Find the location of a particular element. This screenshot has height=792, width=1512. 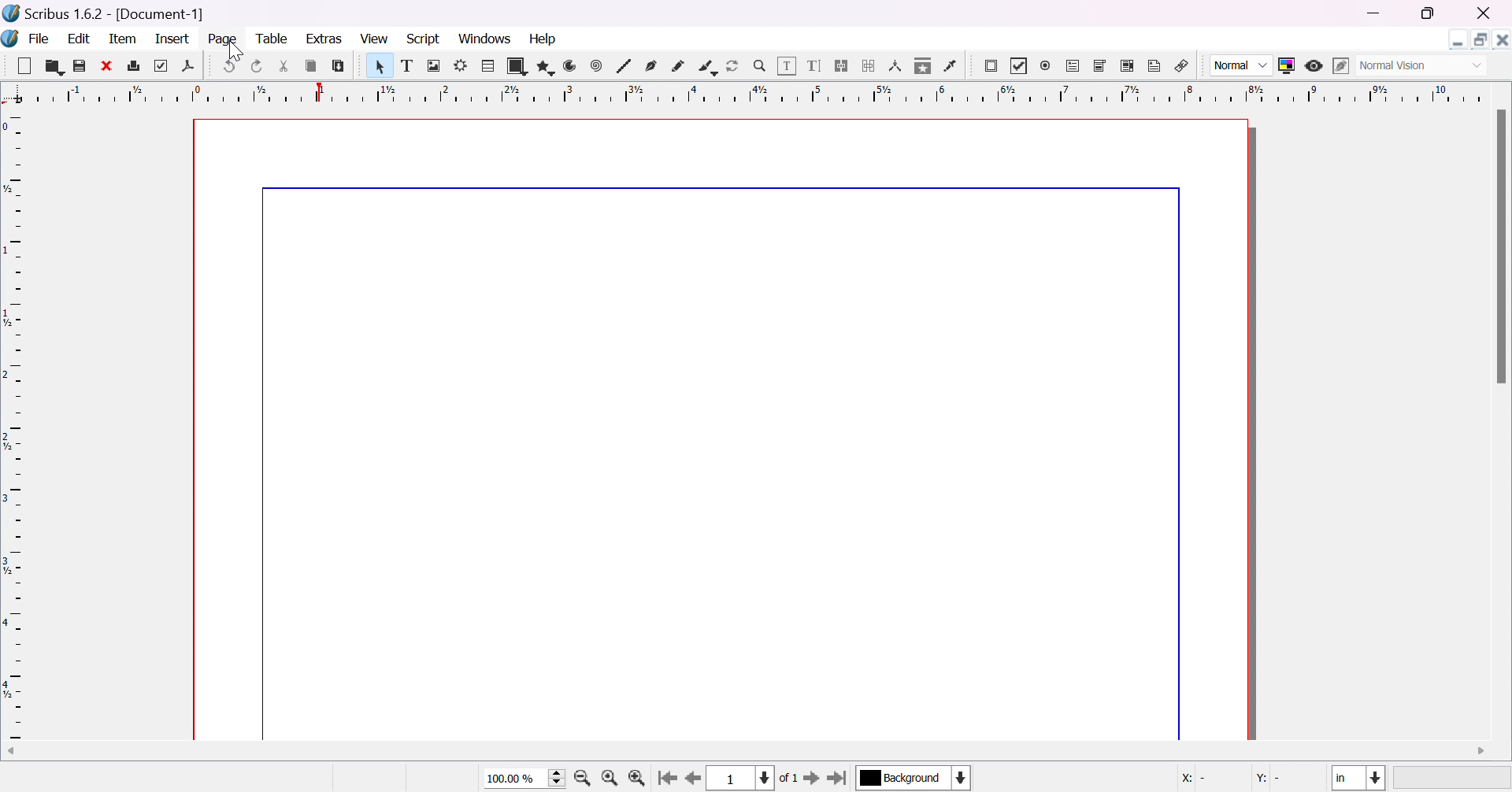

view is located at coordinates (375, 39).